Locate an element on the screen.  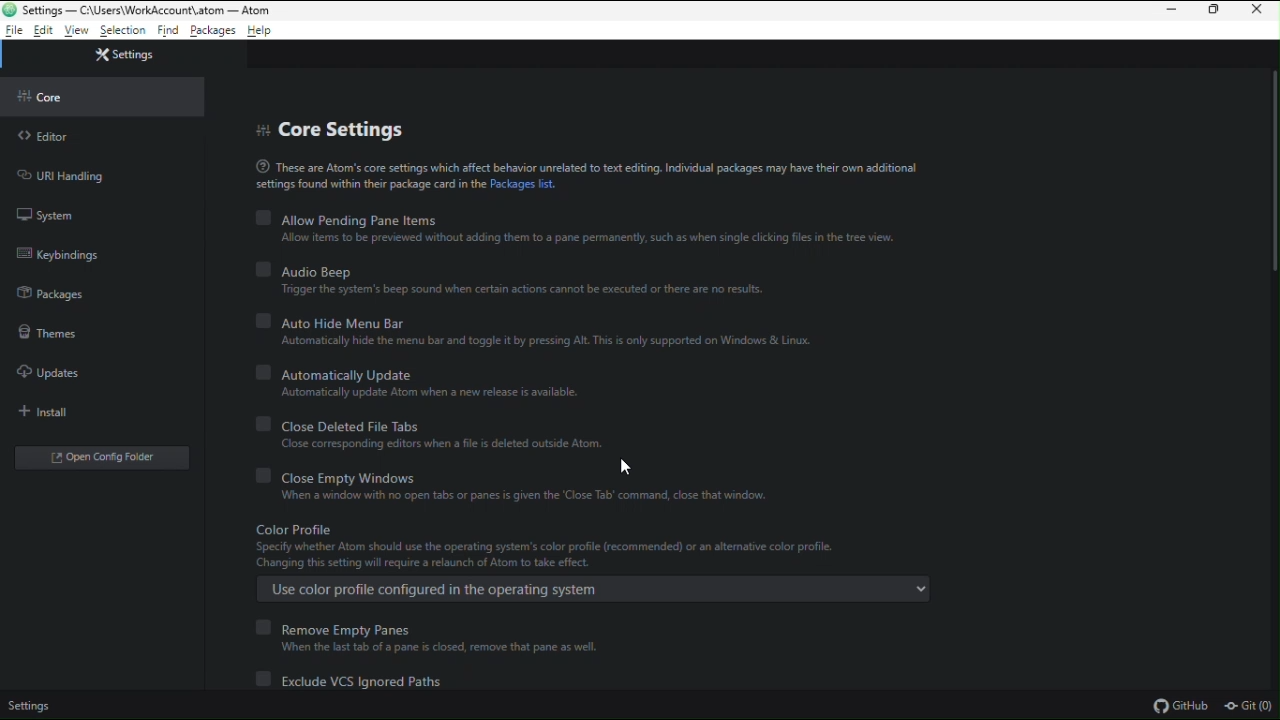
Close empty Windows is located at coordinates (544, 486).